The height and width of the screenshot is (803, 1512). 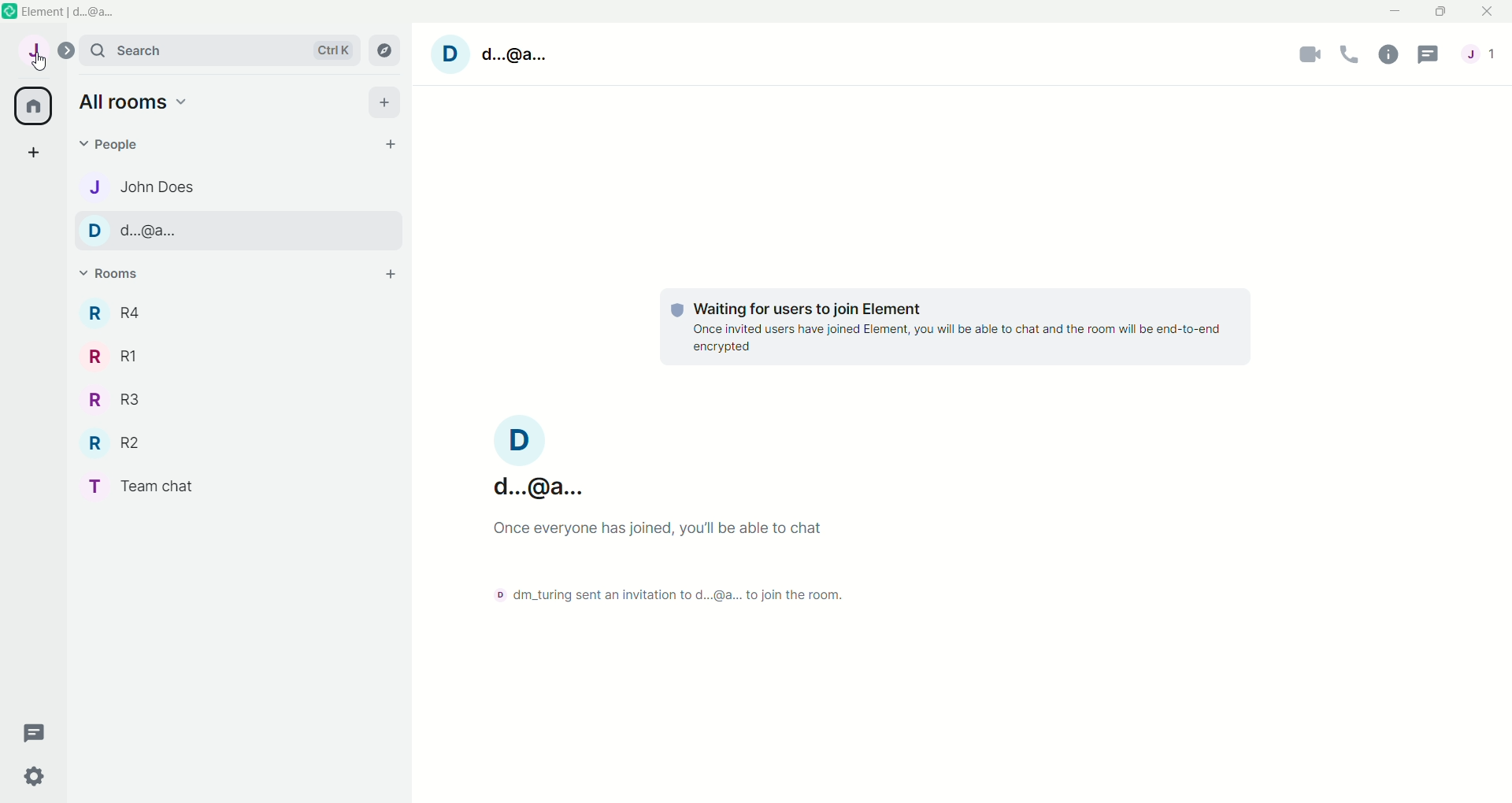 What do you see at coordinates (35, 731) in the screenshot?
I see `Theads` at bounding box center [35, 731].